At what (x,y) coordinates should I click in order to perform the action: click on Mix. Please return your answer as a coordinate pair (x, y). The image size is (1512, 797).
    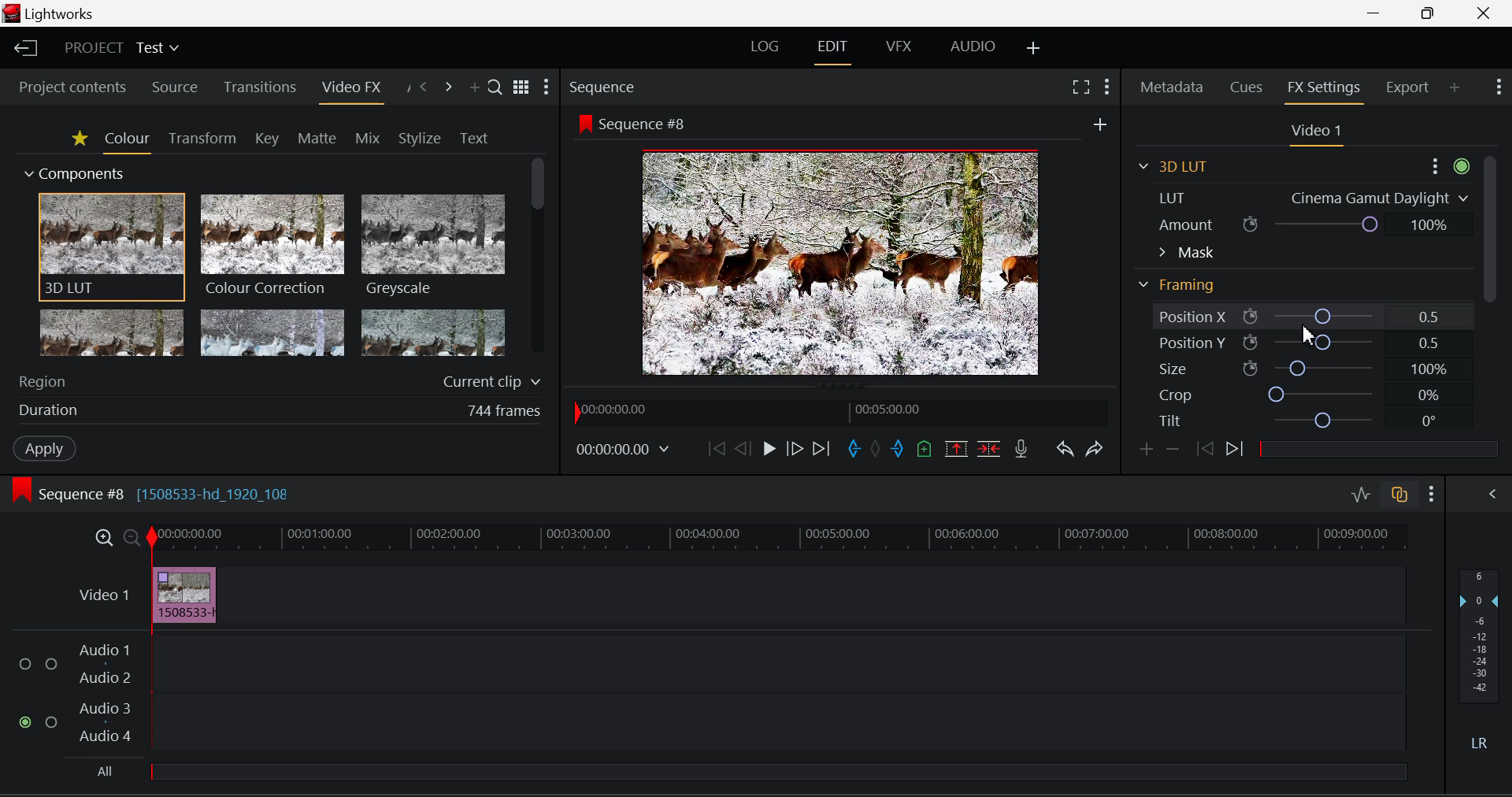
    Looking at the image, I should click on (369, 135).